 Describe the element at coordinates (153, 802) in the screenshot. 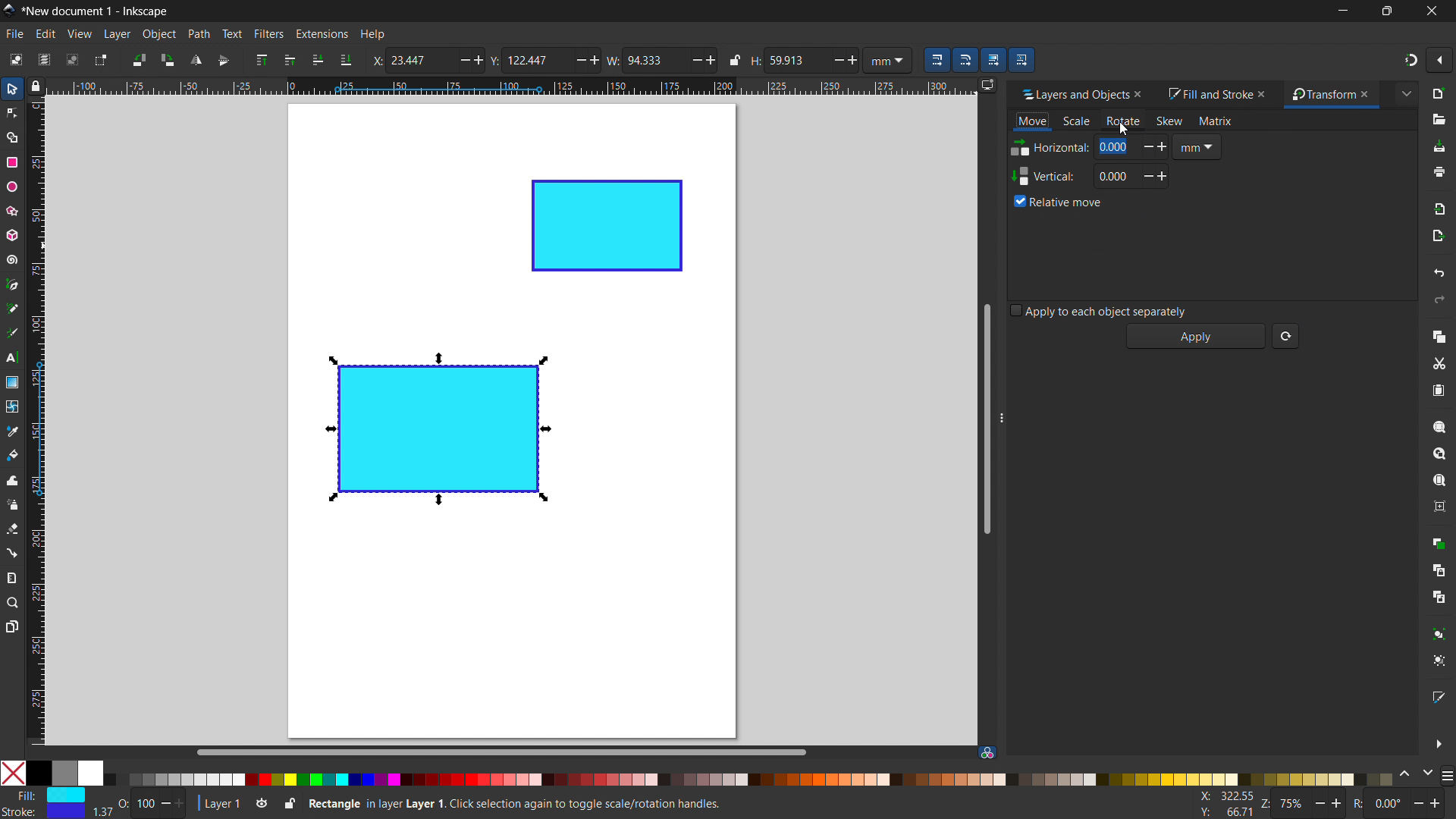

I see `O: 100` at that location.